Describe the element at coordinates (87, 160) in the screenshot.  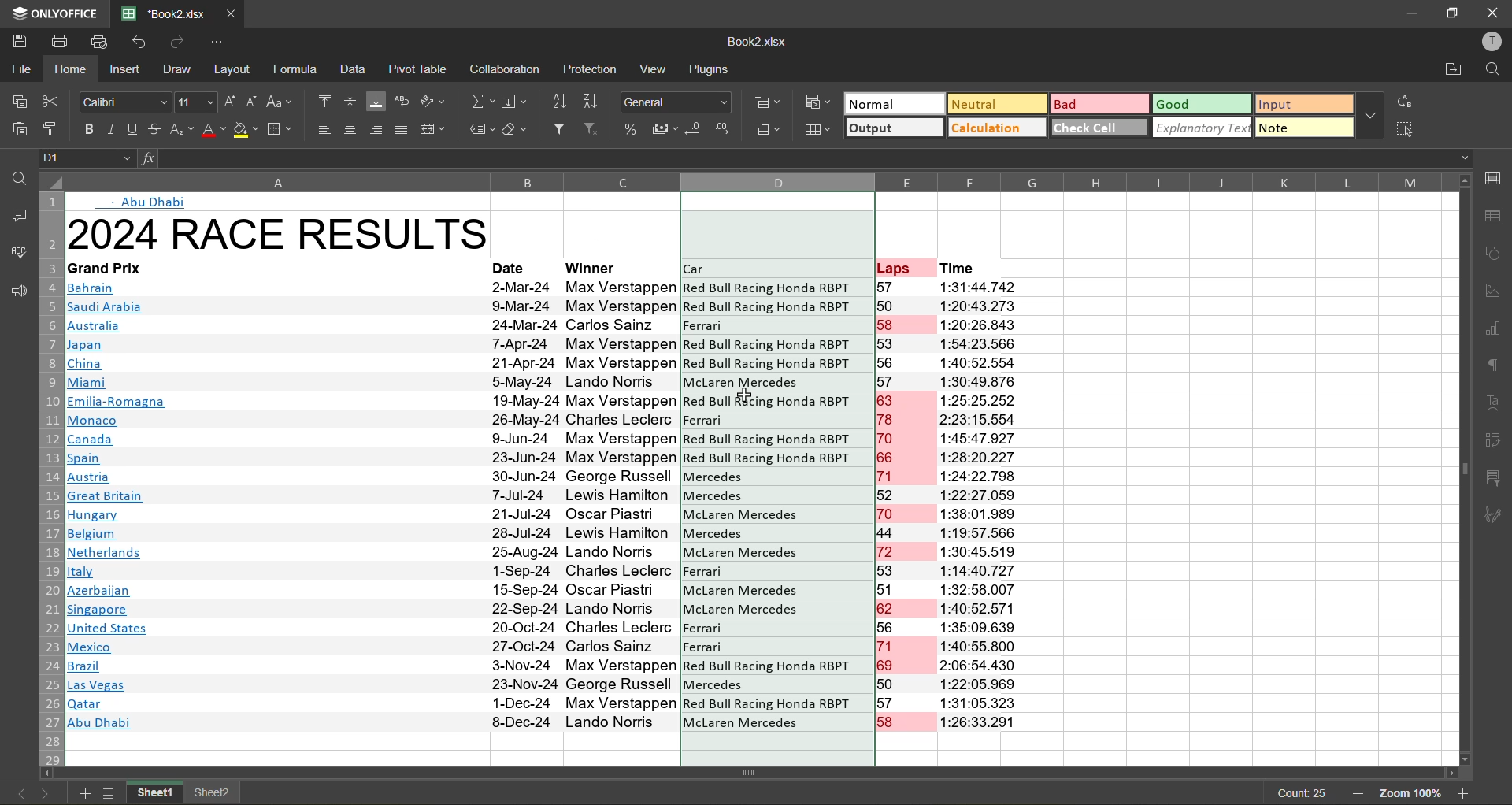
I see `D1` at that location.